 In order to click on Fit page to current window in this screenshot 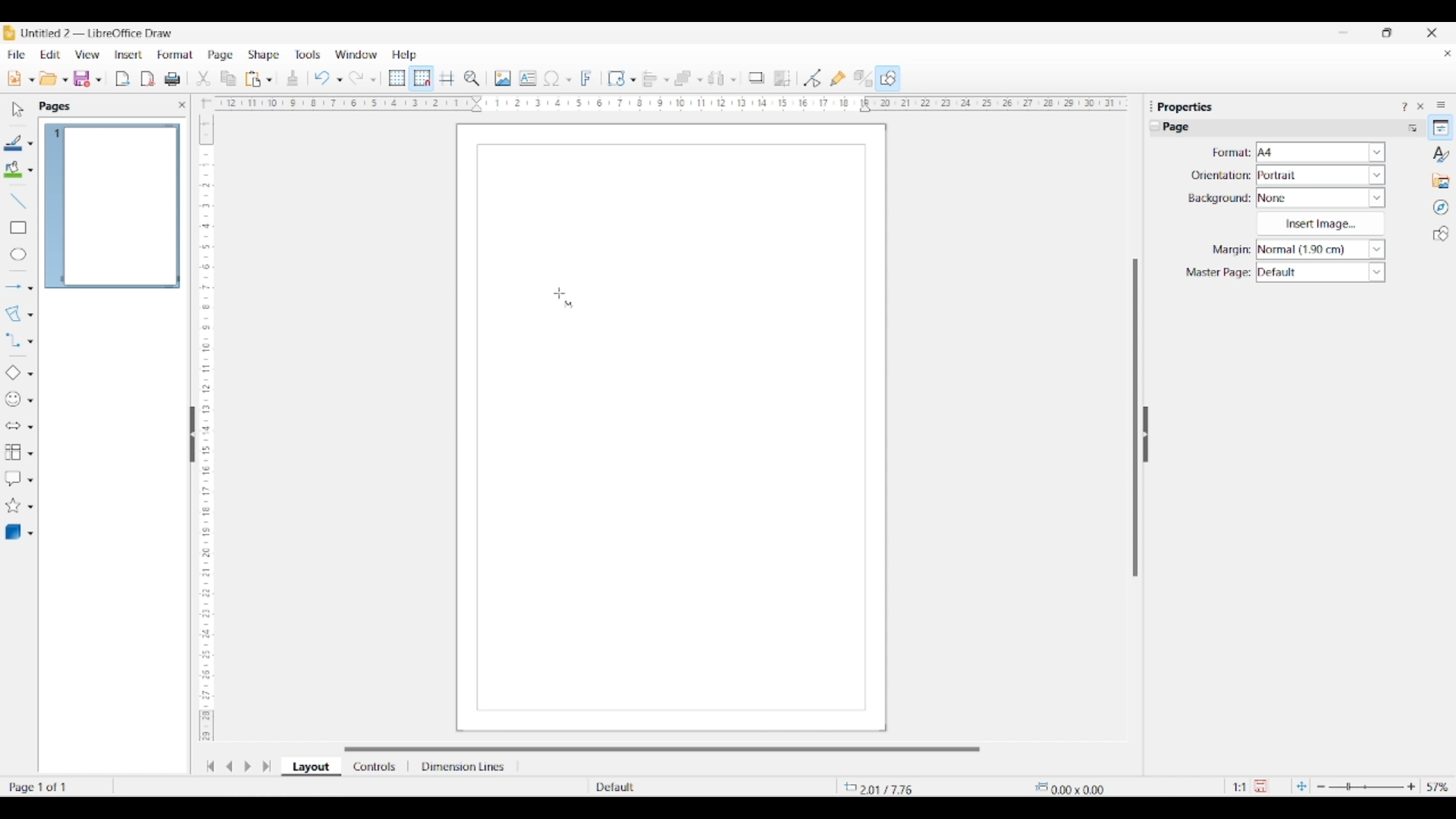, I will do `click(1301, 786)`.